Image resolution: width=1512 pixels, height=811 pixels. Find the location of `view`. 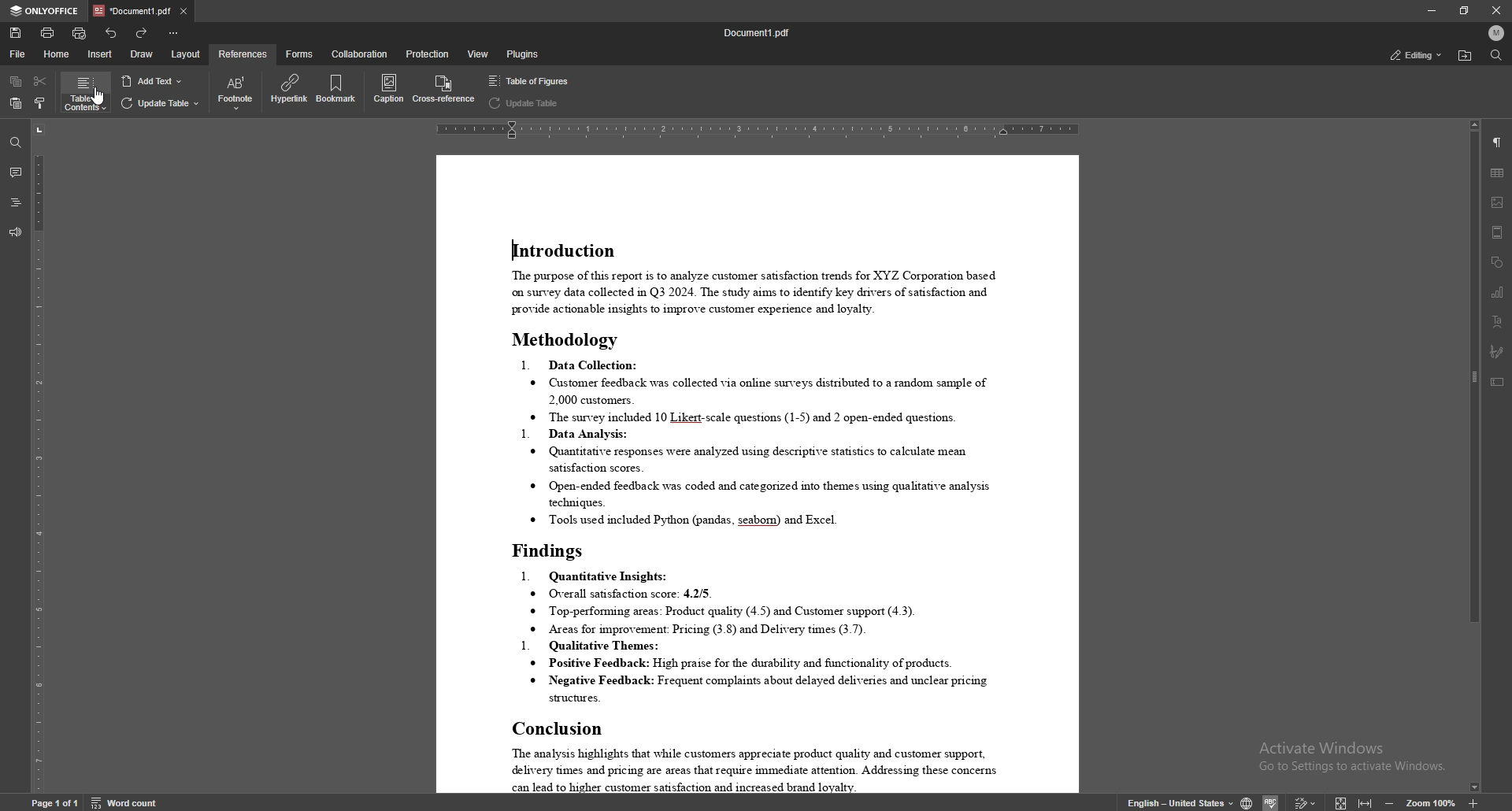

view is located at coordinates (479, 54).